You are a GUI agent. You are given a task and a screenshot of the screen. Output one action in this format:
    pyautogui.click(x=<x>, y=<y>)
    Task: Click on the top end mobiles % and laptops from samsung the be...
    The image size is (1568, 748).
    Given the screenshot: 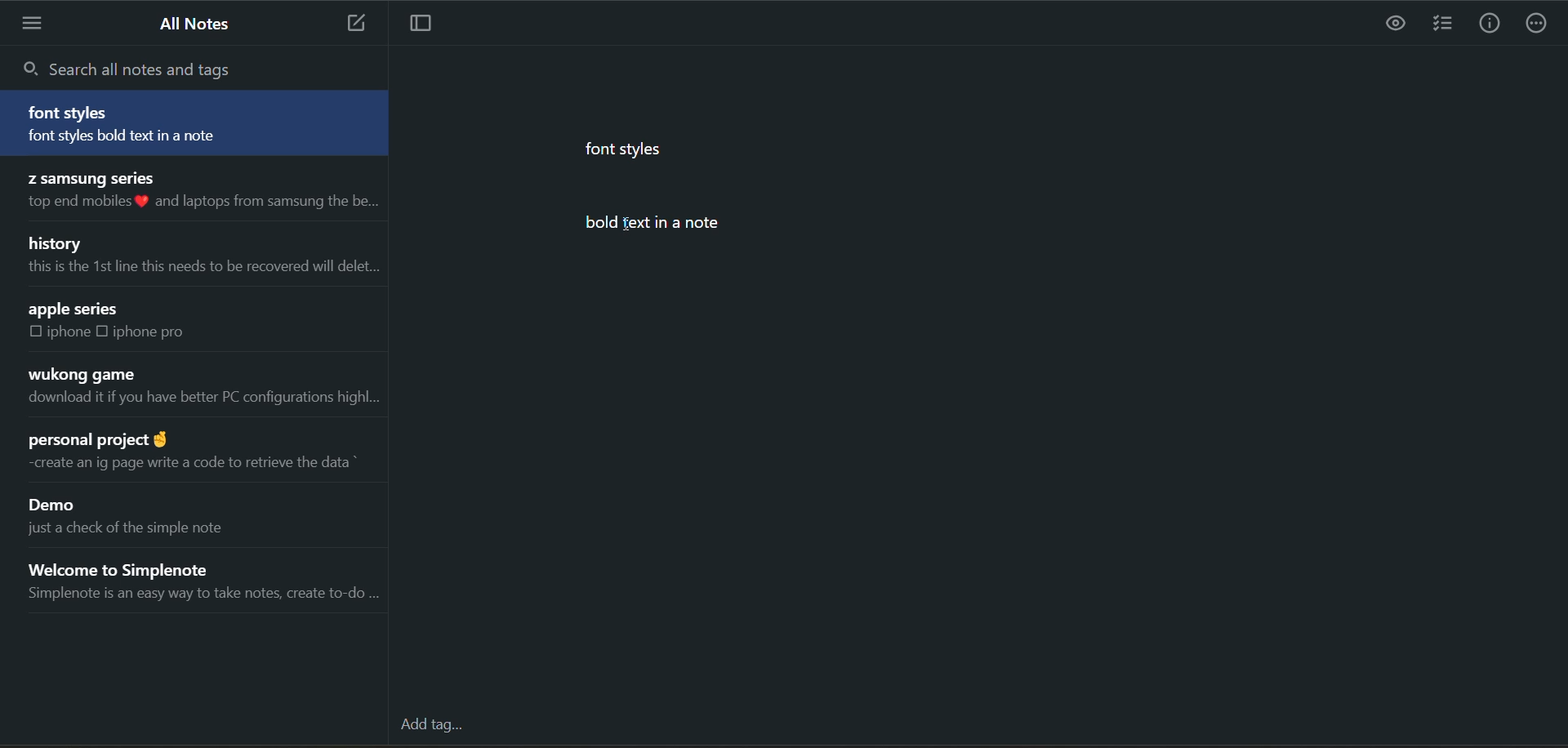 What is the action you would take?
    pyautogui.click(x=198, y=203)
    